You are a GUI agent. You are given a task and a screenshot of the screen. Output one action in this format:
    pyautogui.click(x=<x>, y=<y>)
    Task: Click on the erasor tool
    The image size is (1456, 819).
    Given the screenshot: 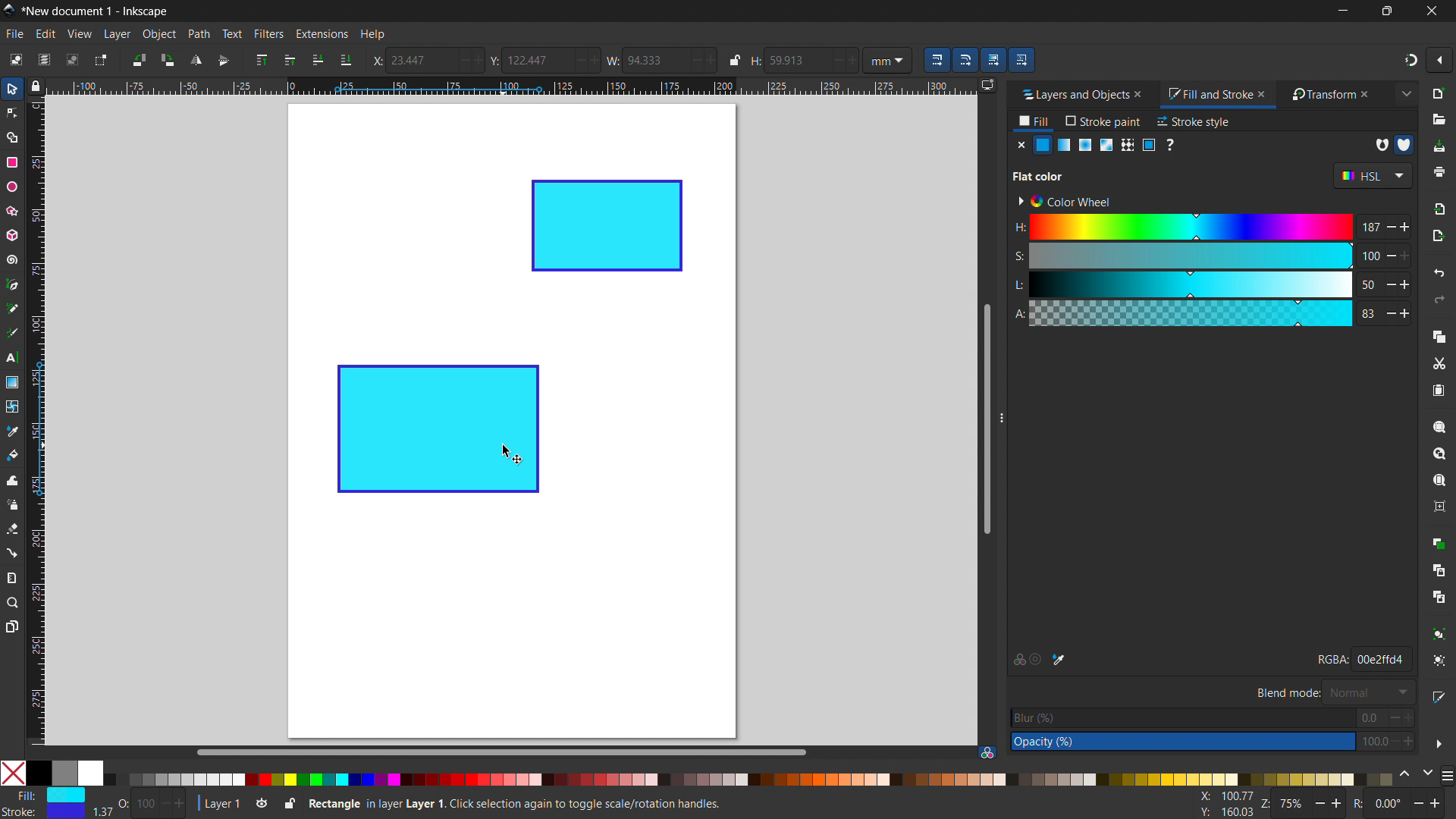 What is the action you would take?
    pyautogui.click(x=12, y=529)
    